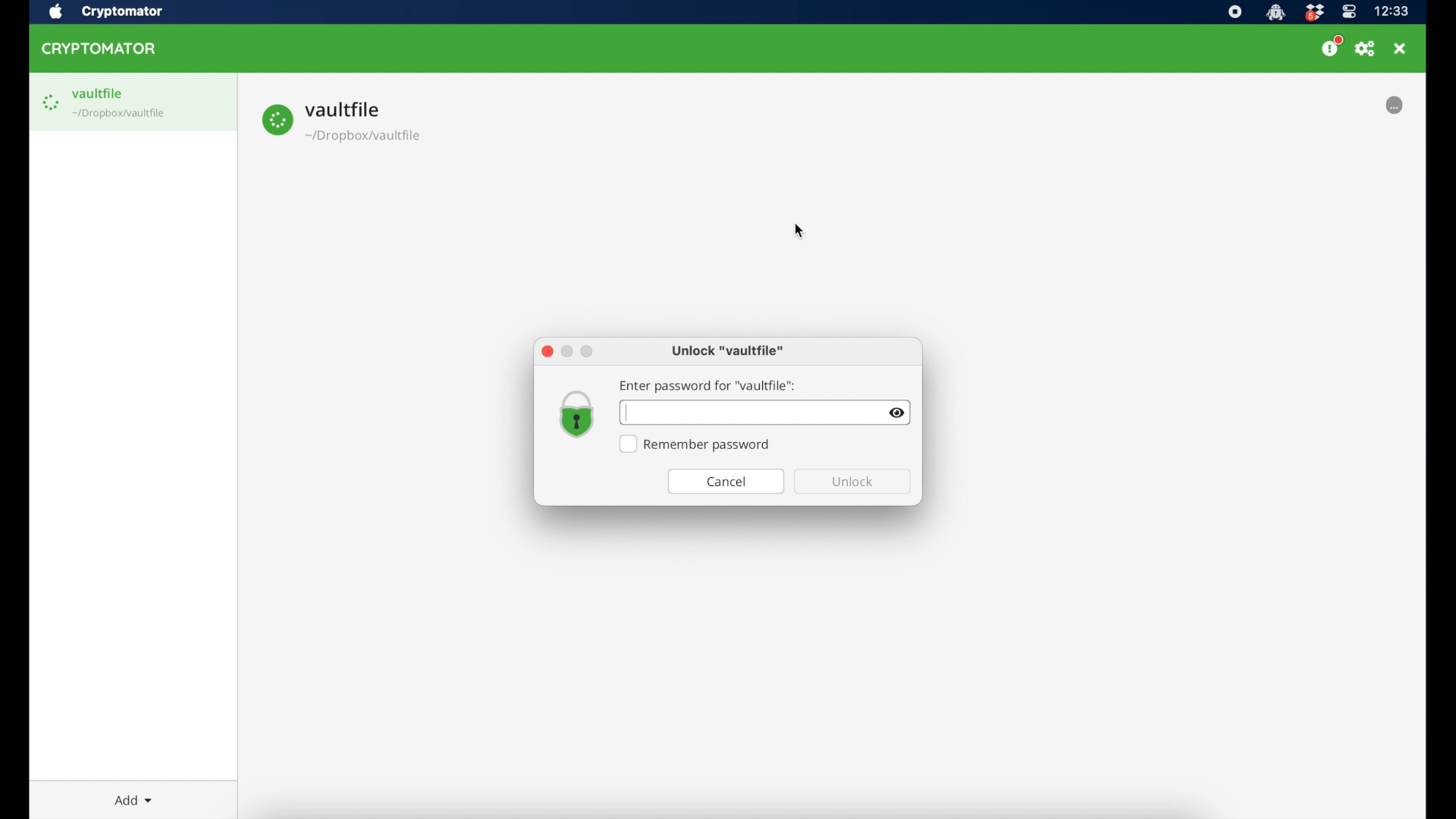 This screenshot has width=1456, height=819. Describe the element at coordinates (568, 351) in the screenshot. I see `minimize` at that location.